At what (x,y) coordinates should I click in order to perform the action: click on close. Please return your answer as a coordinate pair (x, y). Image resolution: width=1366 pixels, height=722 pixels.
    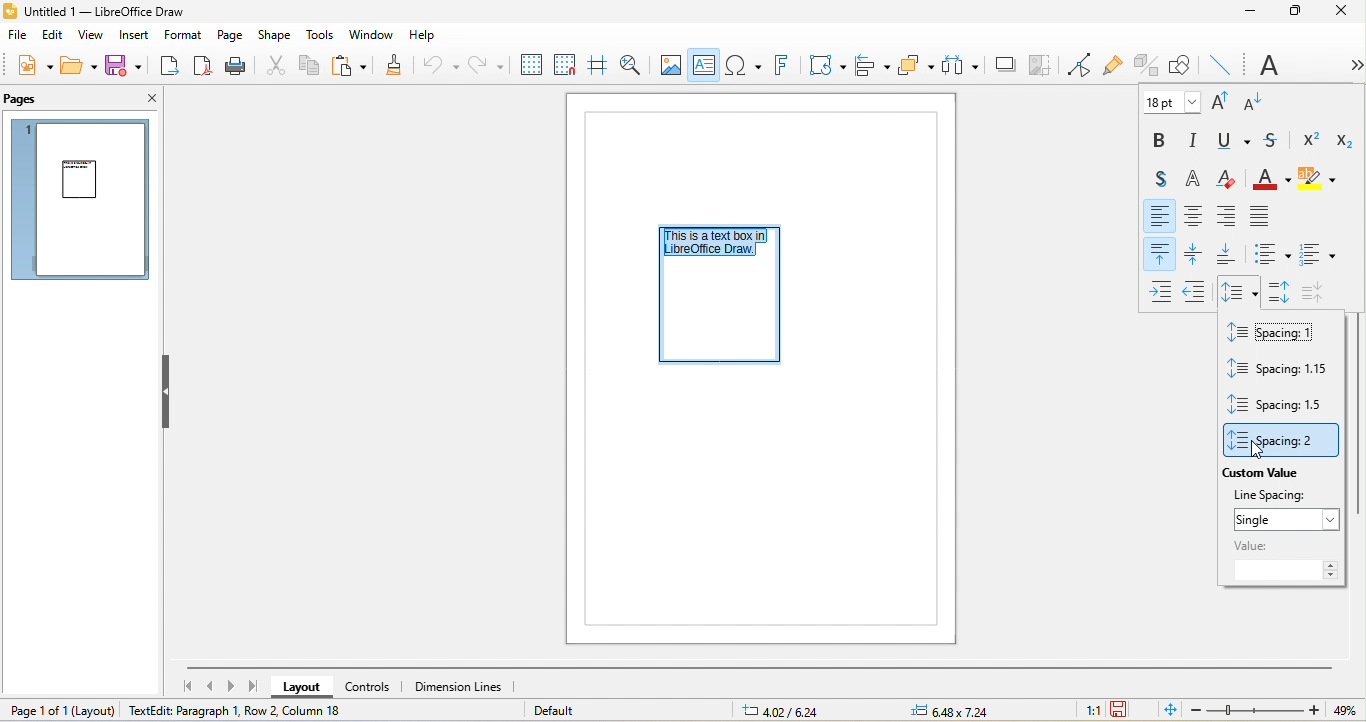
    Looking at the image, I should click on (1341, 14).